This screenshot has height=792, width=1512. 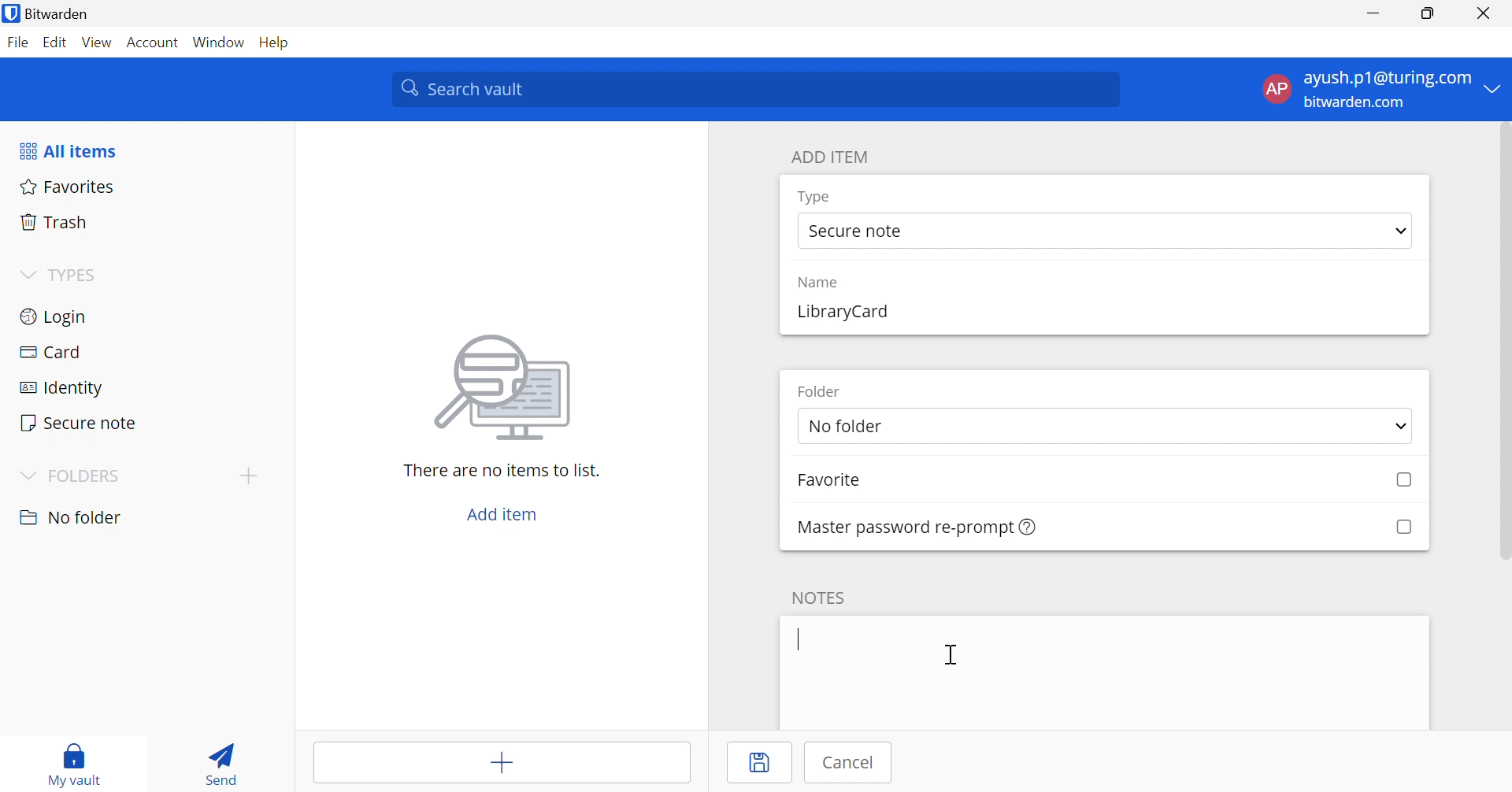 I want to click on add note, so click(x=1104, y=674).